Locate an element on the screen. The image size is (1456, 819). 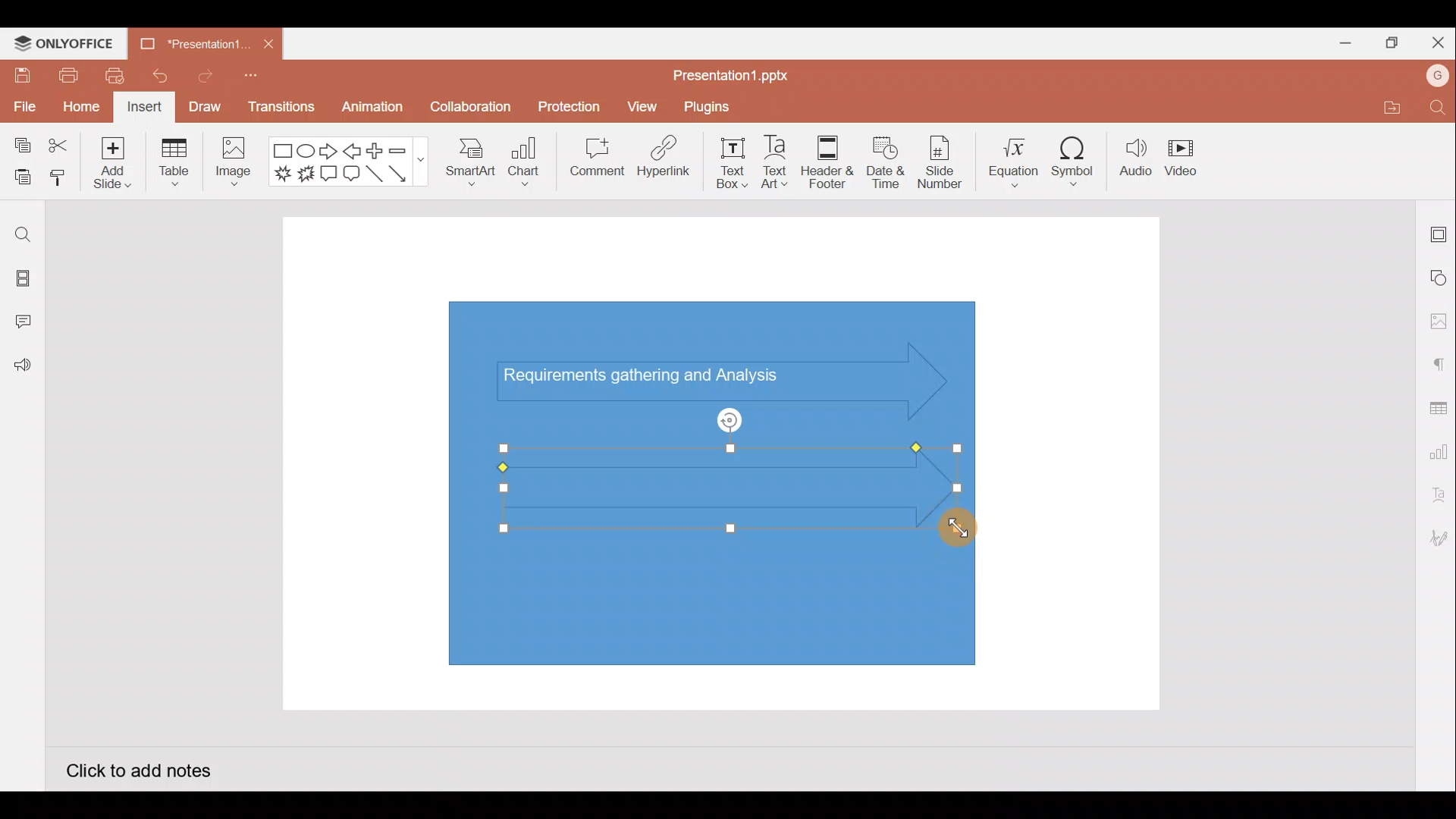
Rounded Rectangular callout is located at coordinates (351, 171).